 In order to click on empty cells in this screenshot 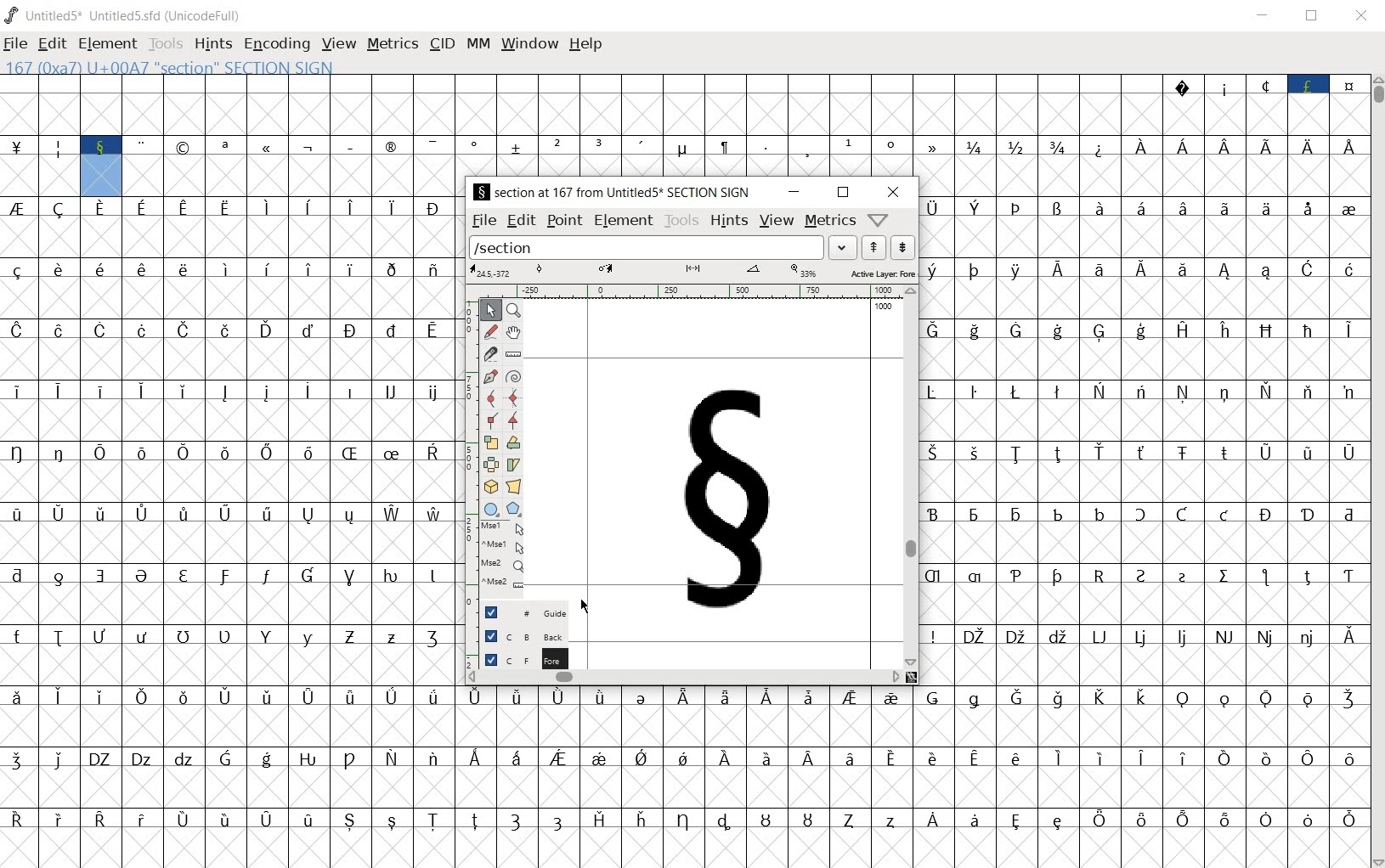, I will do `click(686, 724)`.